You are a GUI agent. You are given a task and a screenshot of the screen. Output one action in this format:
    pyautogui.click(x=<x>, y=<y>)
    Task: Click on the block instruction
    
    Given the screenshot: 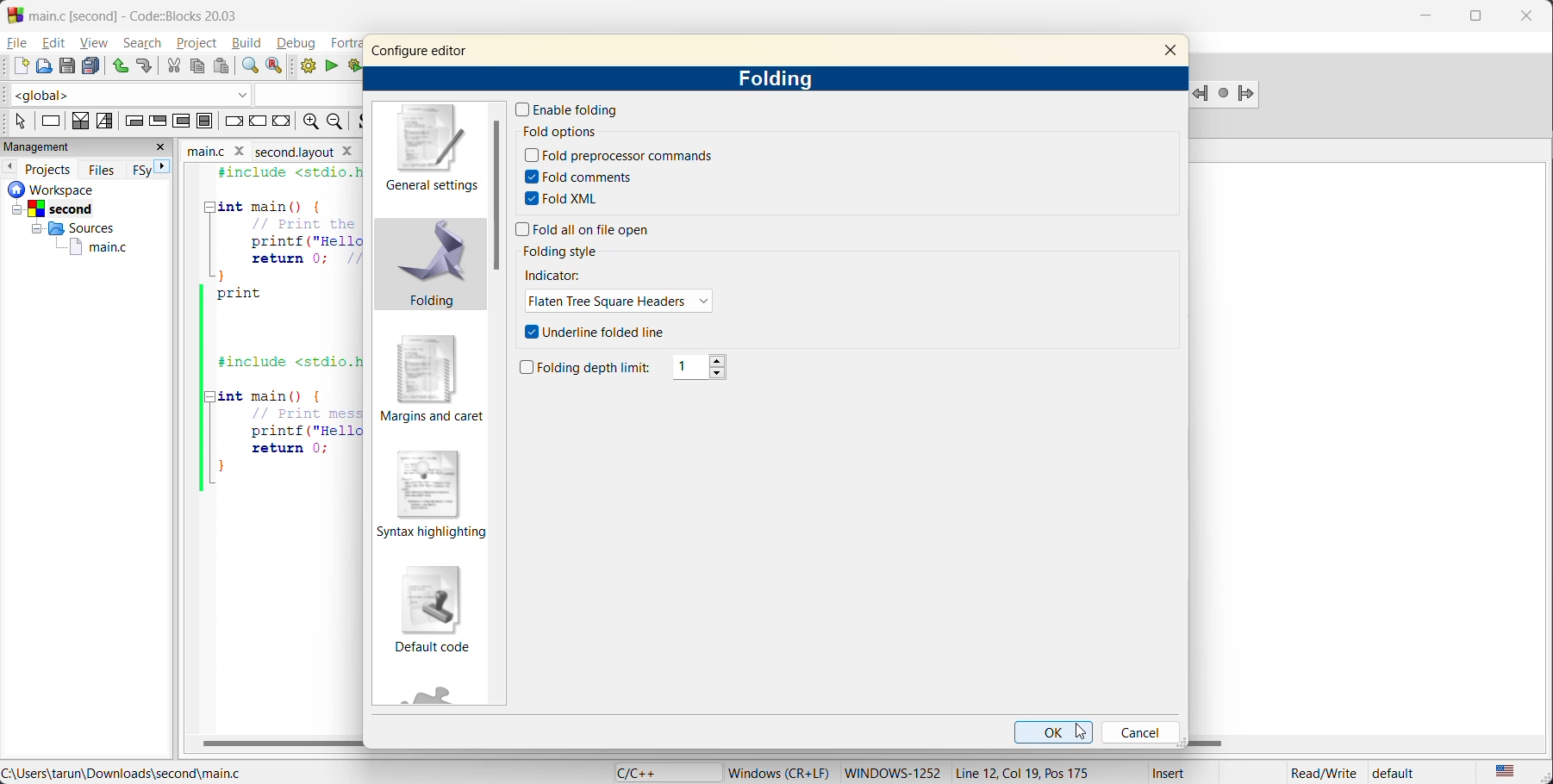 What is the action you would take?
    pyautogui.click(x=204, y=121)
    